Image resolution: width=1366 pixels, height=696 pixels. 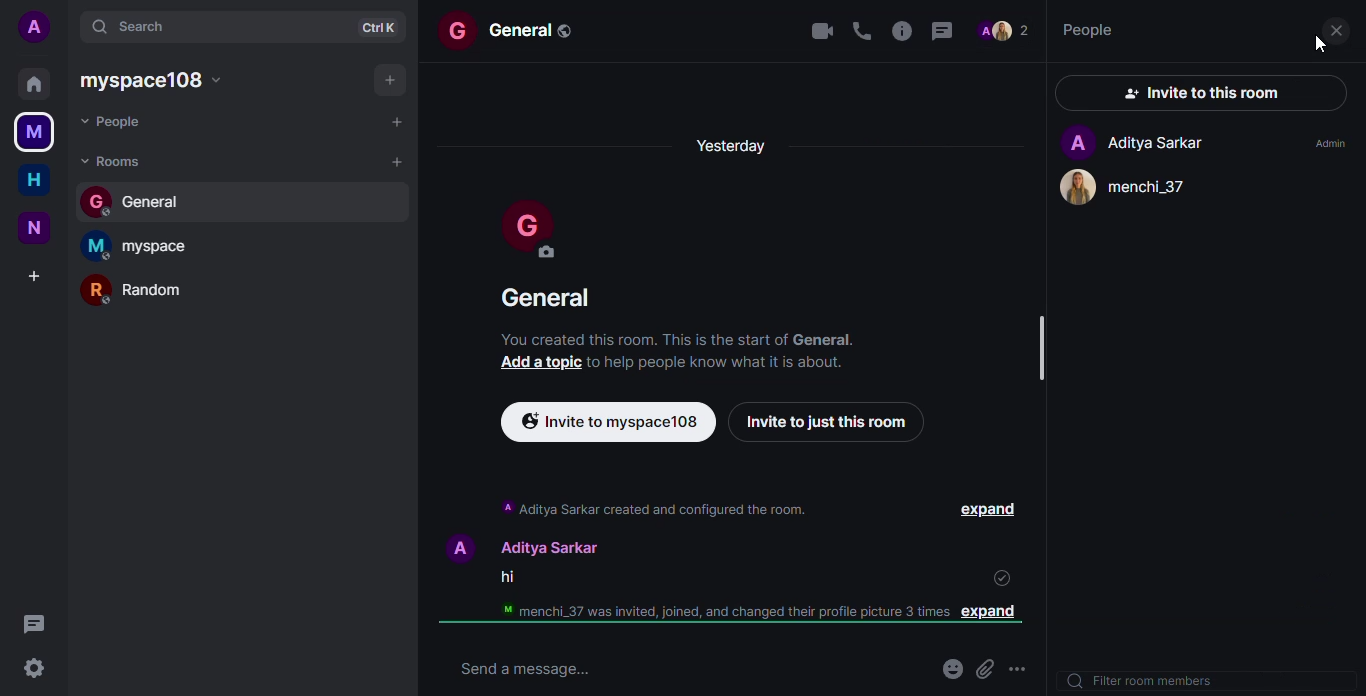 What do you see at coordinates (854, 28) in the screenshot?
I see `voice call` at bounding box center [854, 28].